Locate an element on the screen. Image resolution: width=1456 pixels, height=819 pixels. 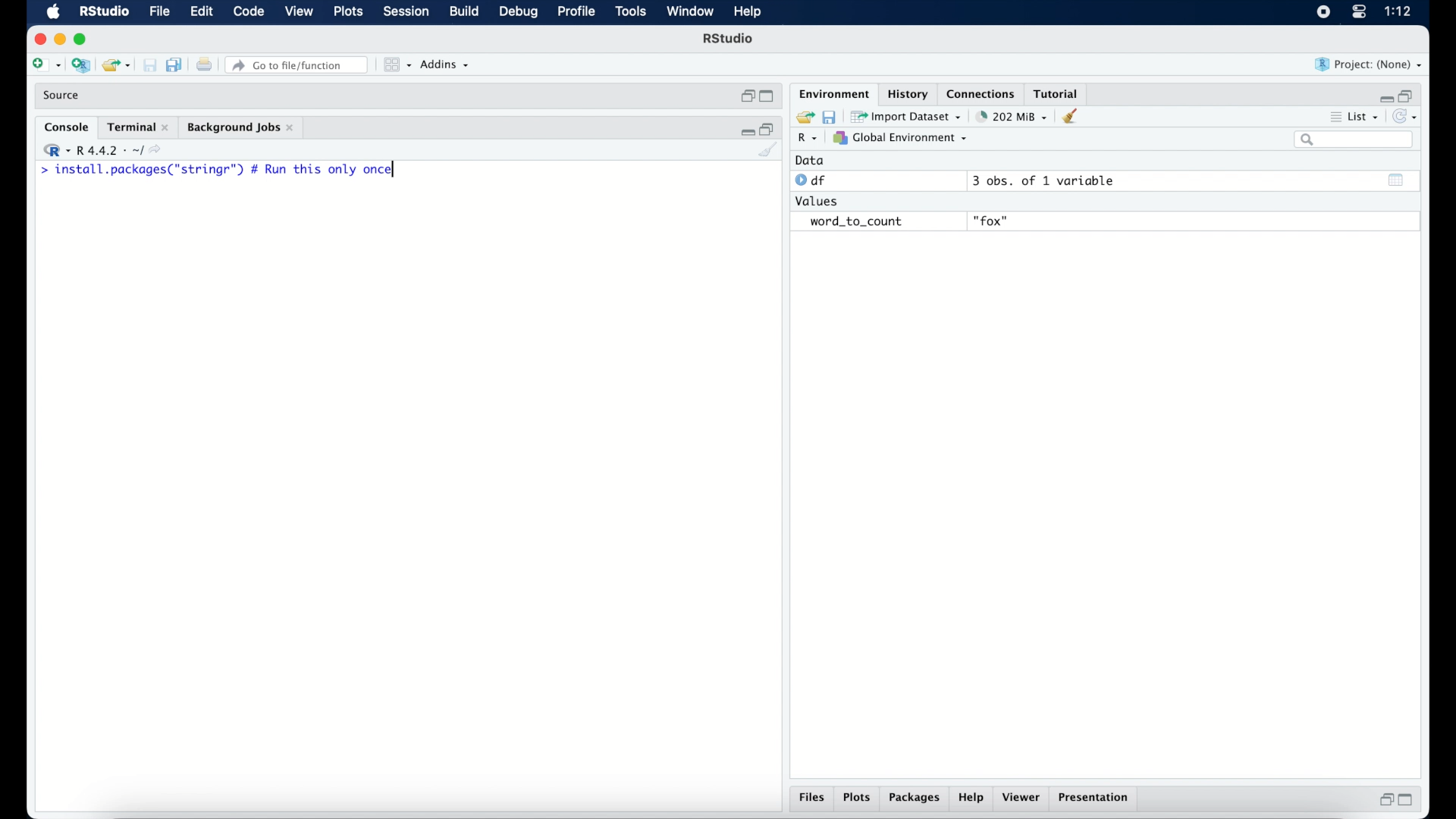
search bar is located at coordinates (1356, 140).